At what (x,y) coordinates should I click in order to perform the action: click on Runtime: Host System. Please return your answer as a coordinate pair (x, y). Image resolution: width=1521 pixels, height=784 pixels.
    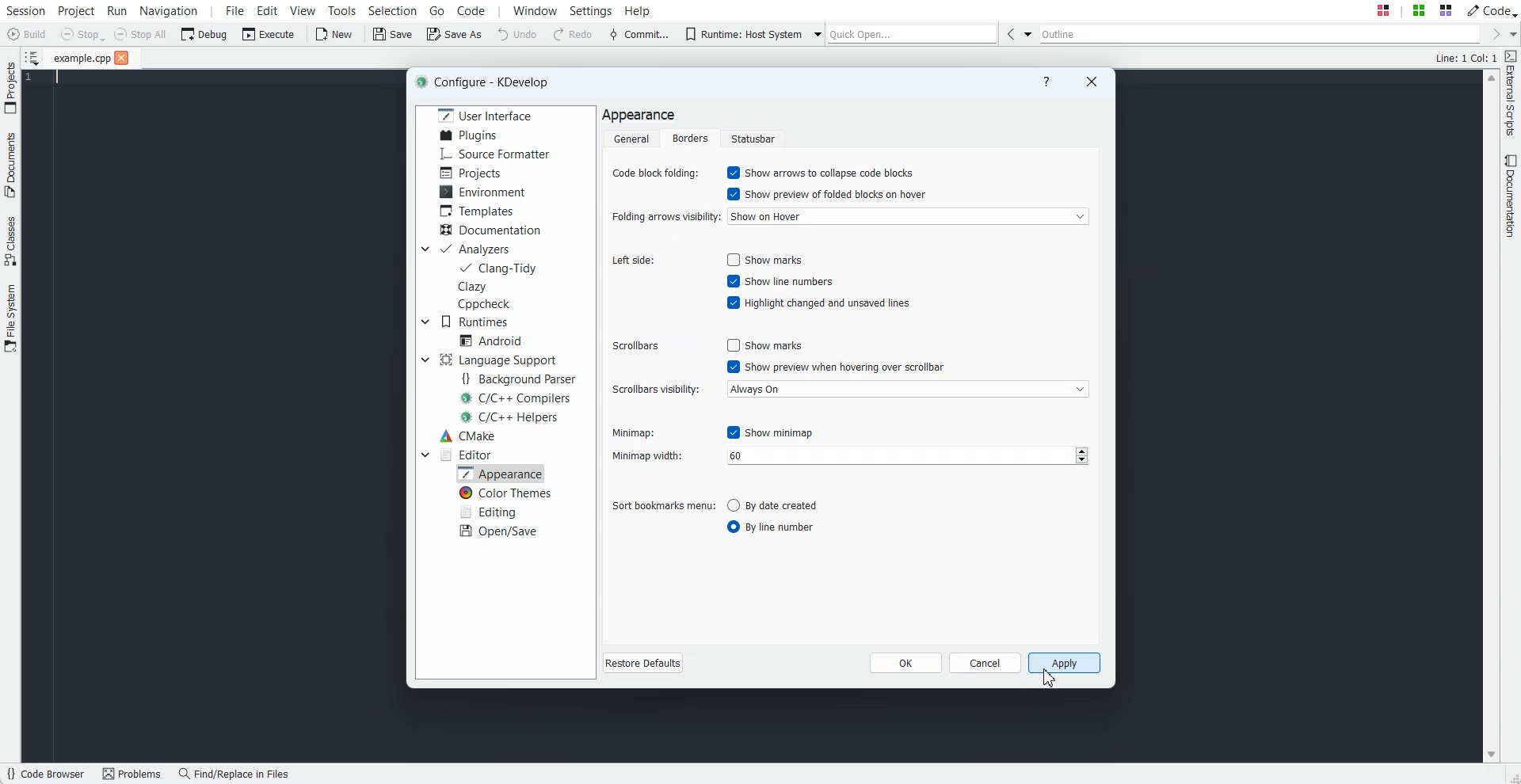
    Looking at the image, I should click on (741, 34).